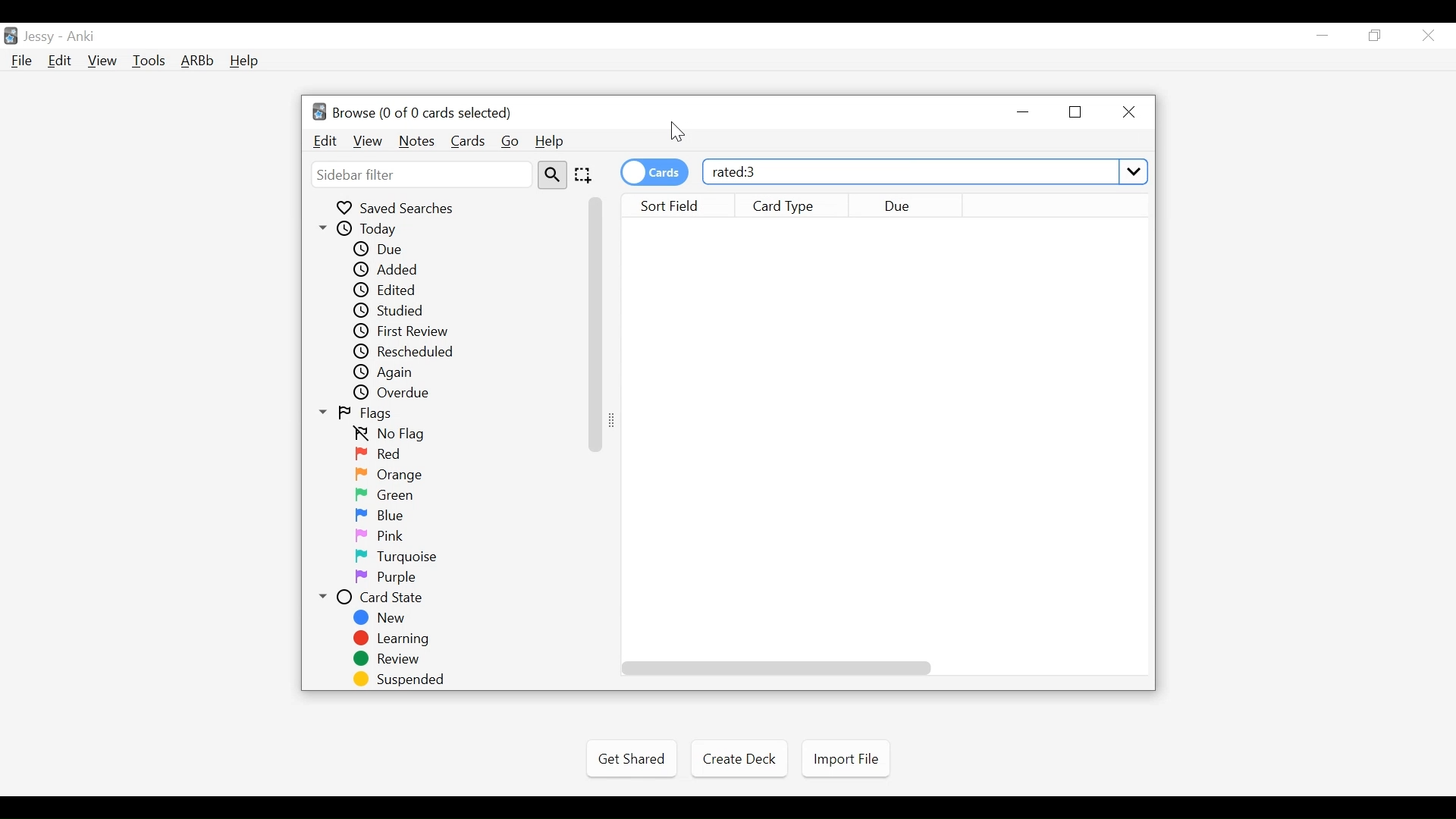 The width and height of the screenshot is (1456, 819). I want to click on Learning, so click(394, 639).